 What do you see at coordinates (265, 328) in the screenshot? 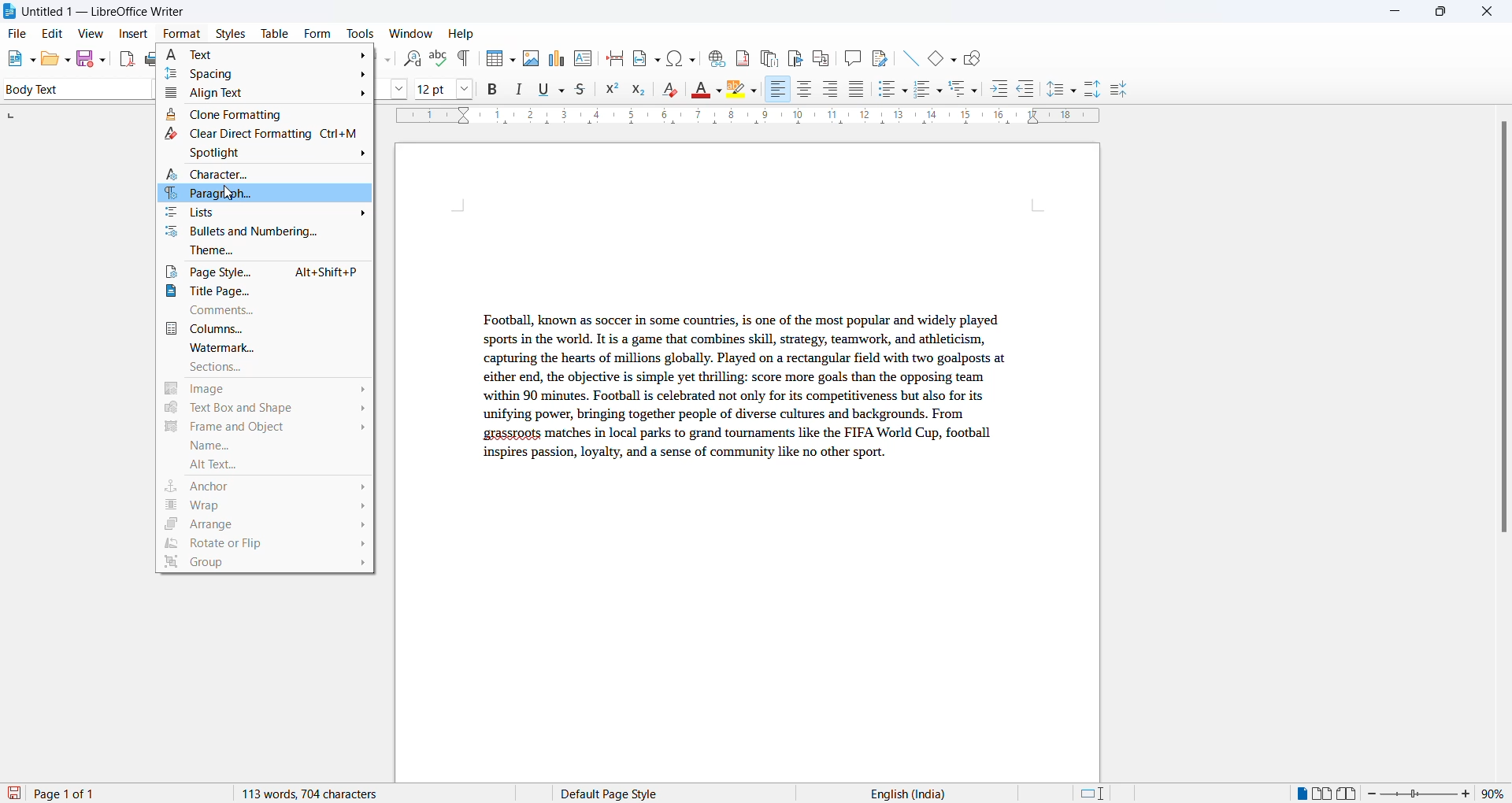
I see `columns` at bounding box center [265, 328].